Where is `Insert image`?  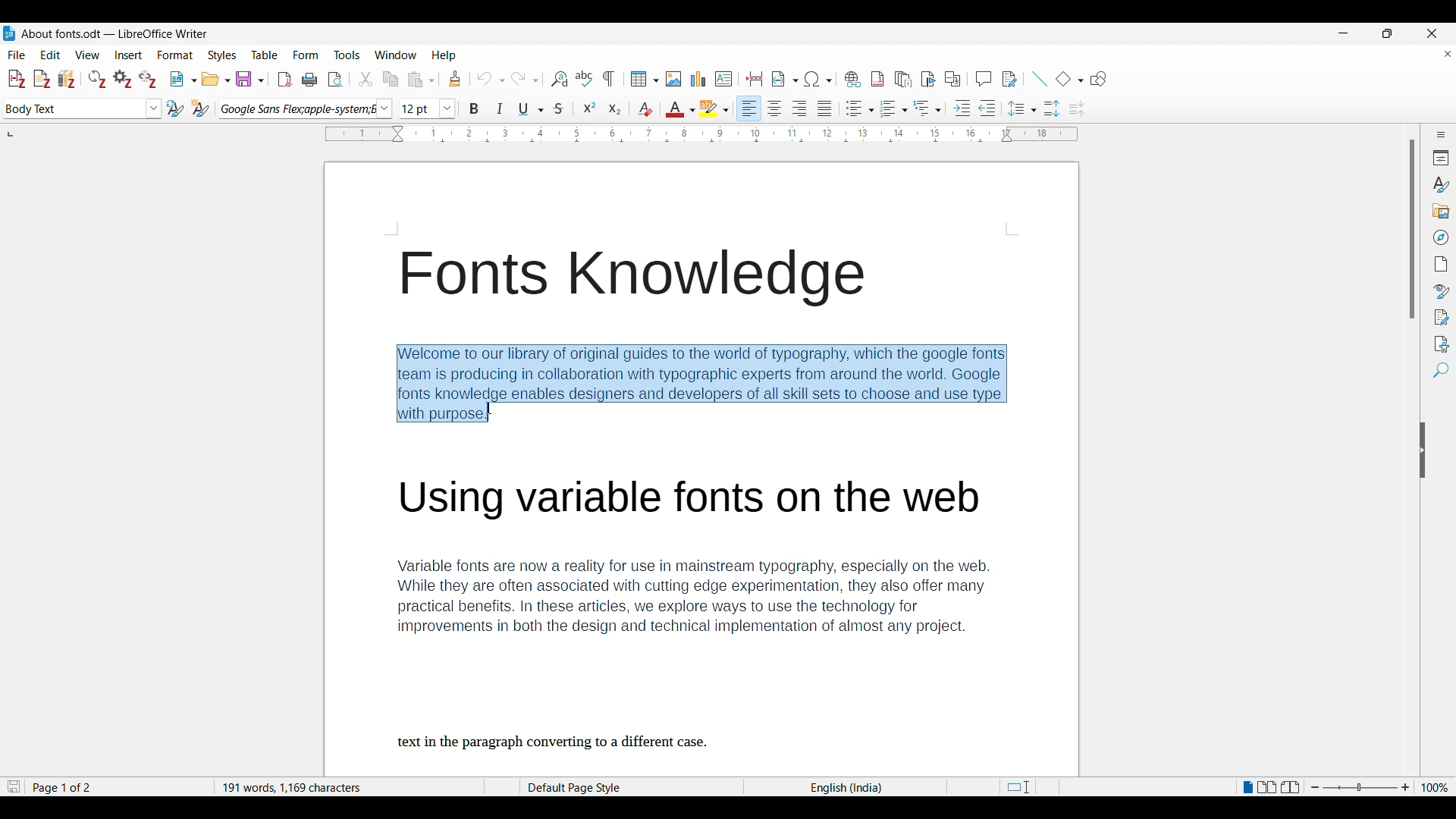 Insert image is located at coordinates (673, 79).